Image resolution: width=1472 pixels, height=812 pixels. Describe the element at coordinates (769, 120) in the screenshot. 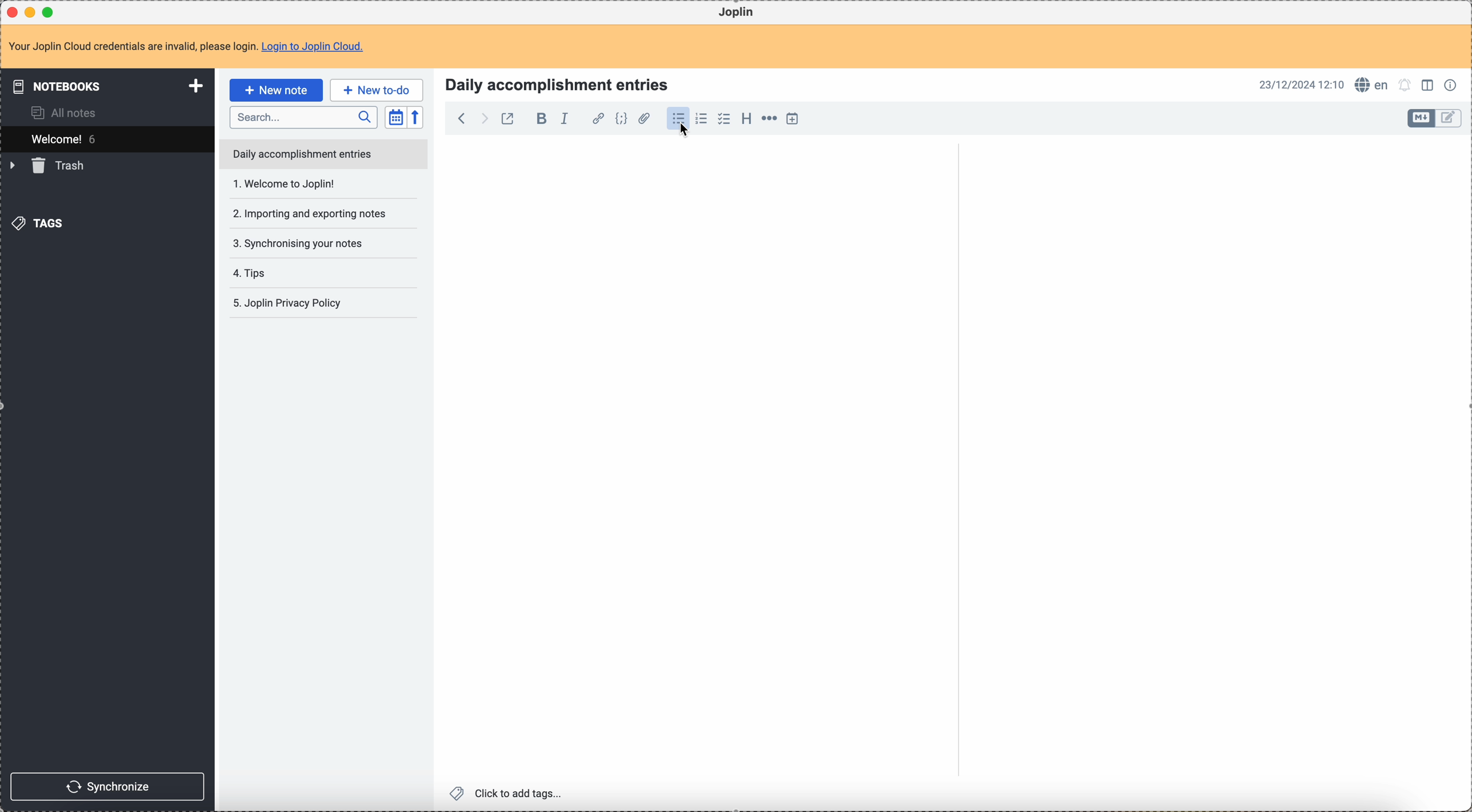

I see `horizontal rule` at that location.